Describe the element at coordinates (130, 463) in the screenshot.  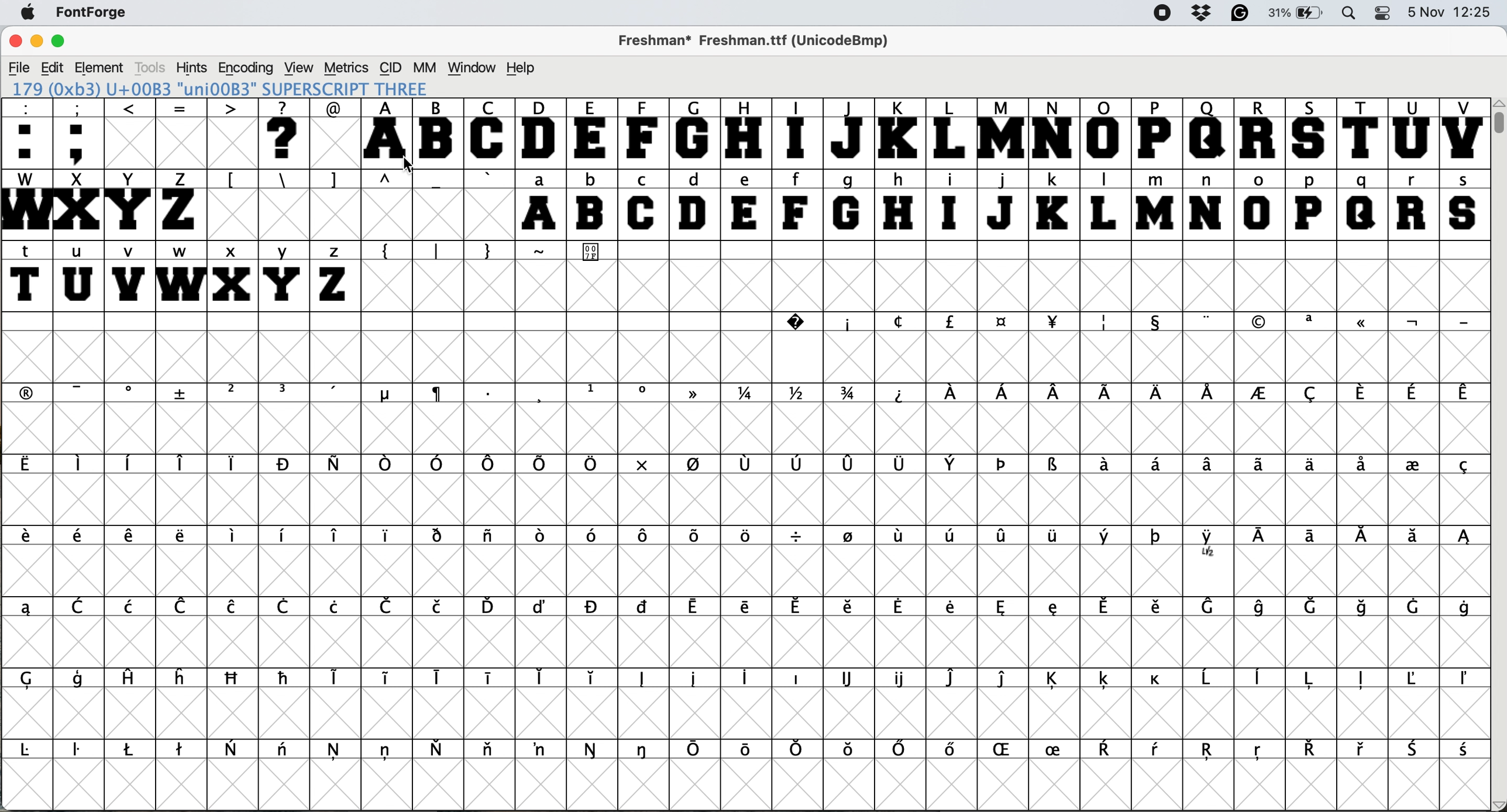
I see `symbol` at that location.